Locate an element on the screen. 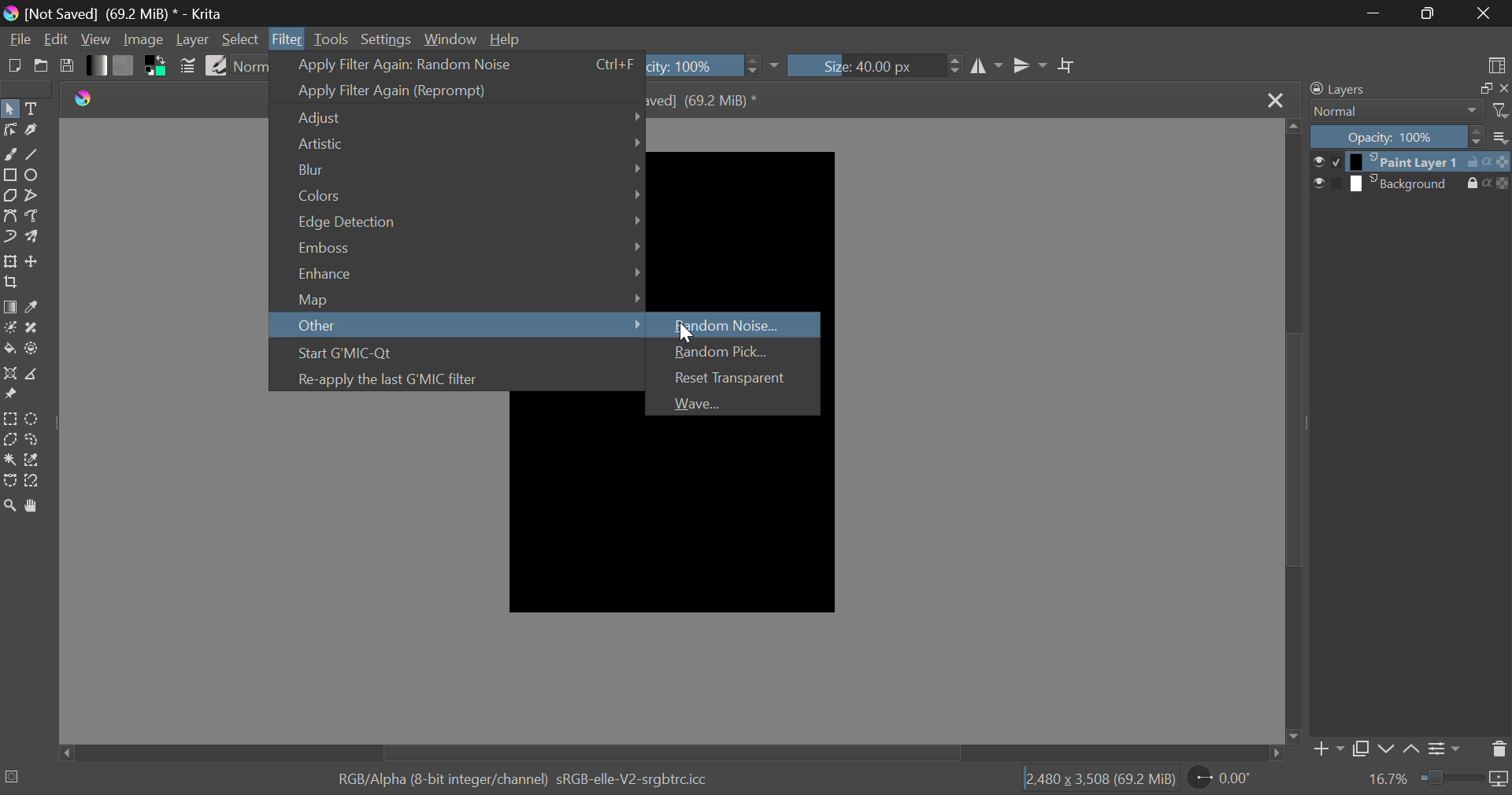 This screenshot has height=795, width=1512. filter is located at coordinates (1498, 109).